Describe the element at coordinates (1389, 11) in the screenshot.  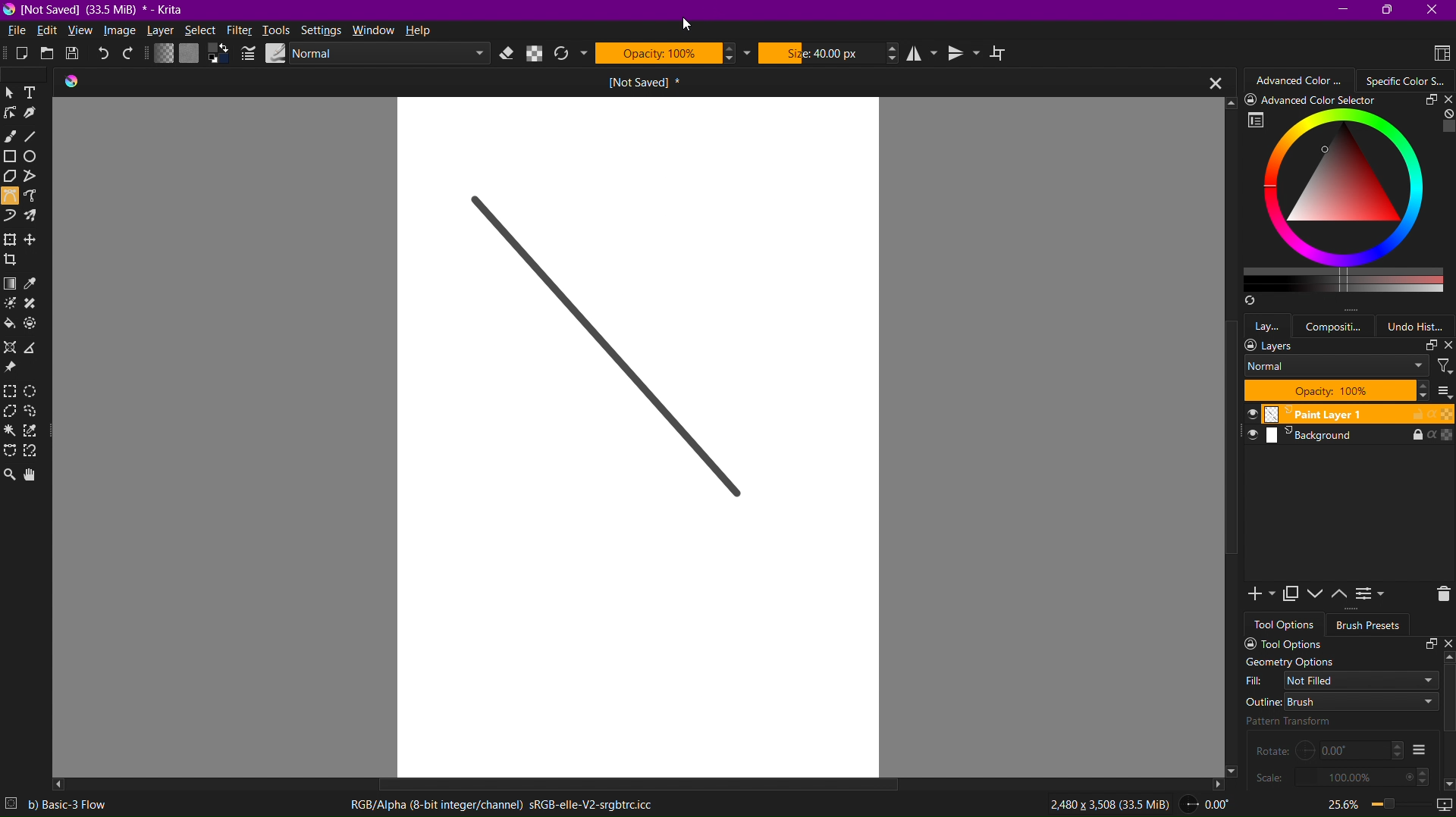
I see `Maximize` at that location.